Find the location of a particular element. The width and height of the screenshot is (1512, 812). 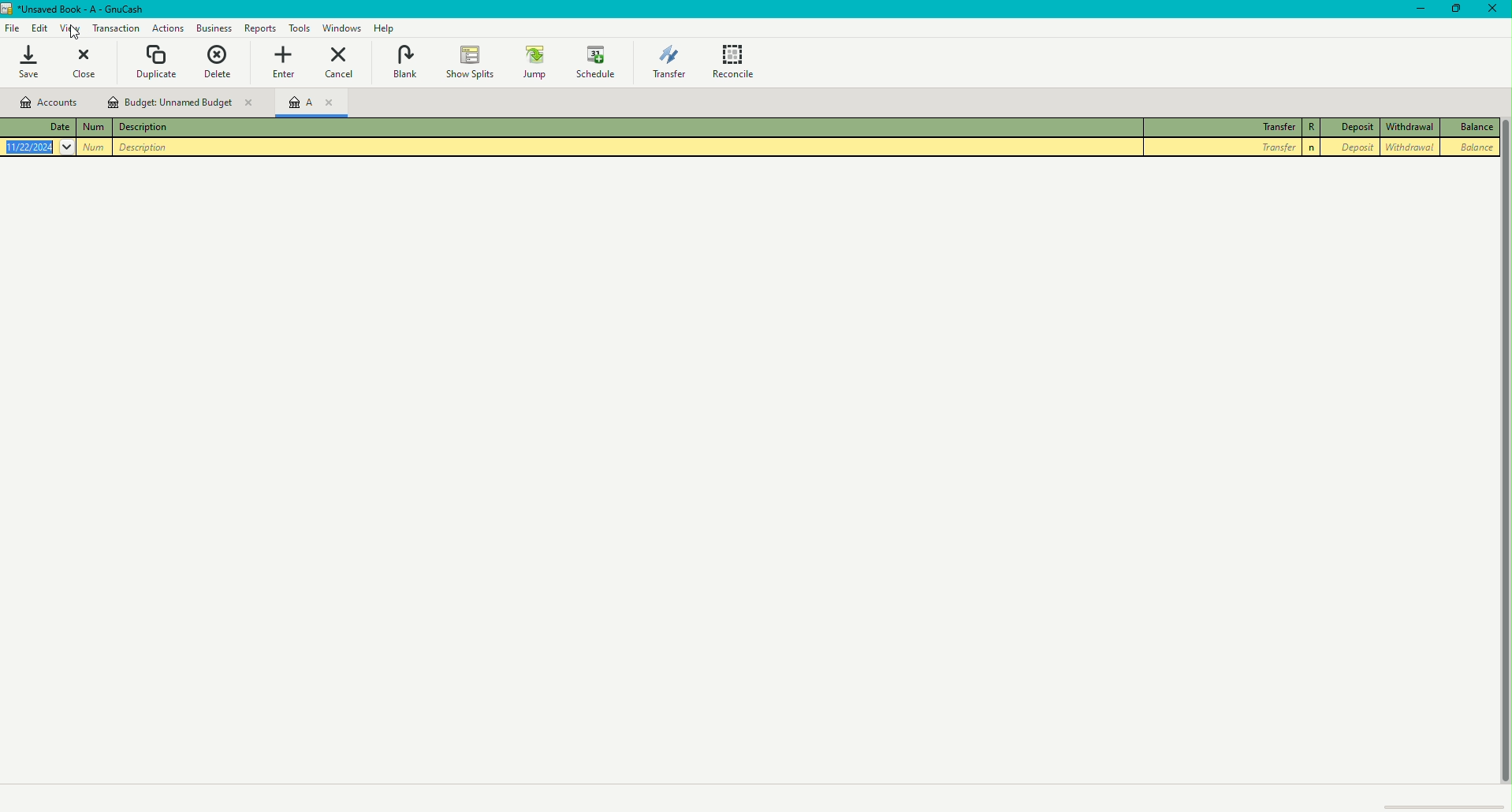

Save is located at coordinates (28, 62).